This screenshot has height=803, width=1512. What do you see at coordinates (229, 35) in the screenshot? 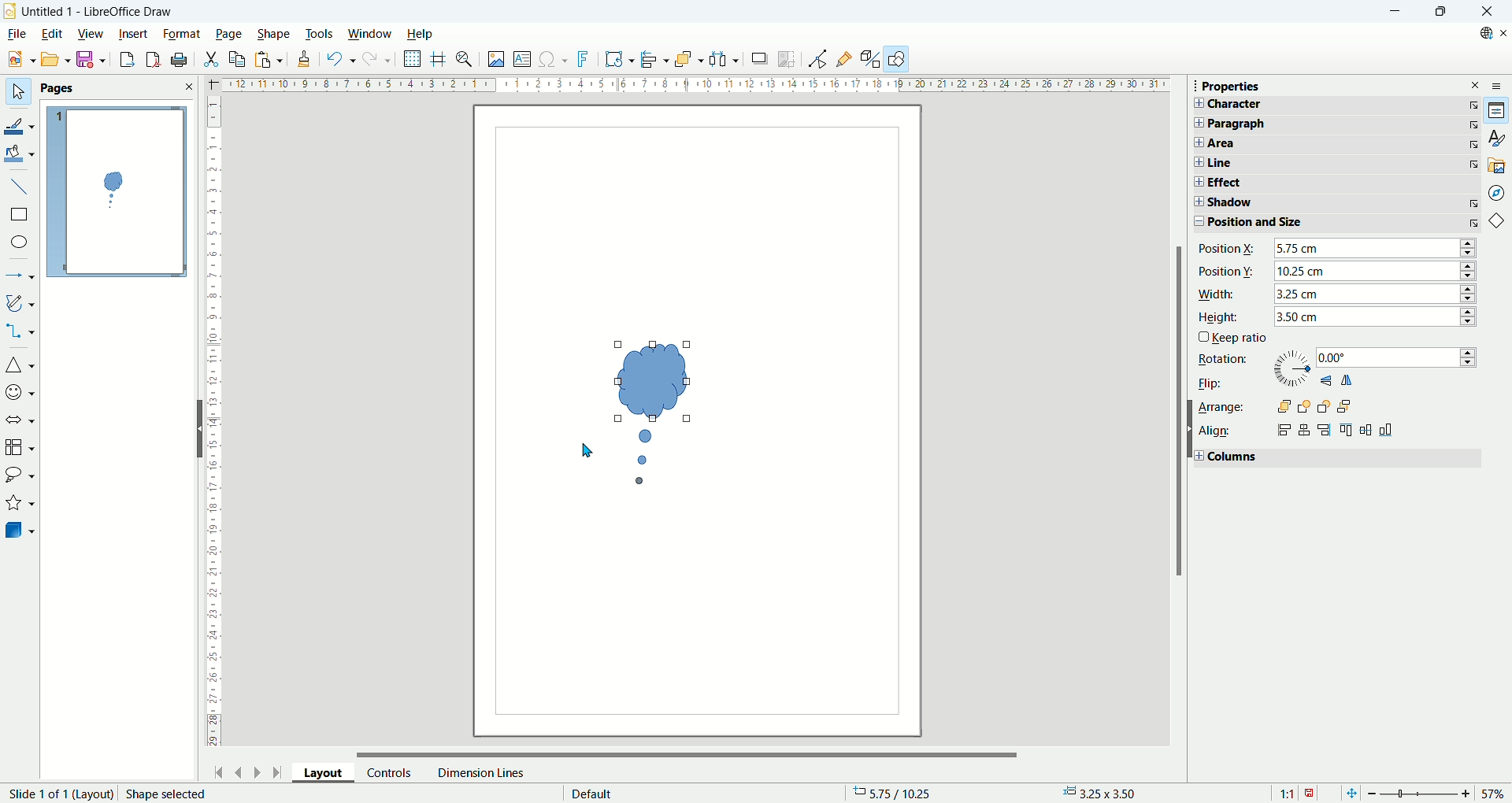
I see `page` at bounding box center [229, 35].